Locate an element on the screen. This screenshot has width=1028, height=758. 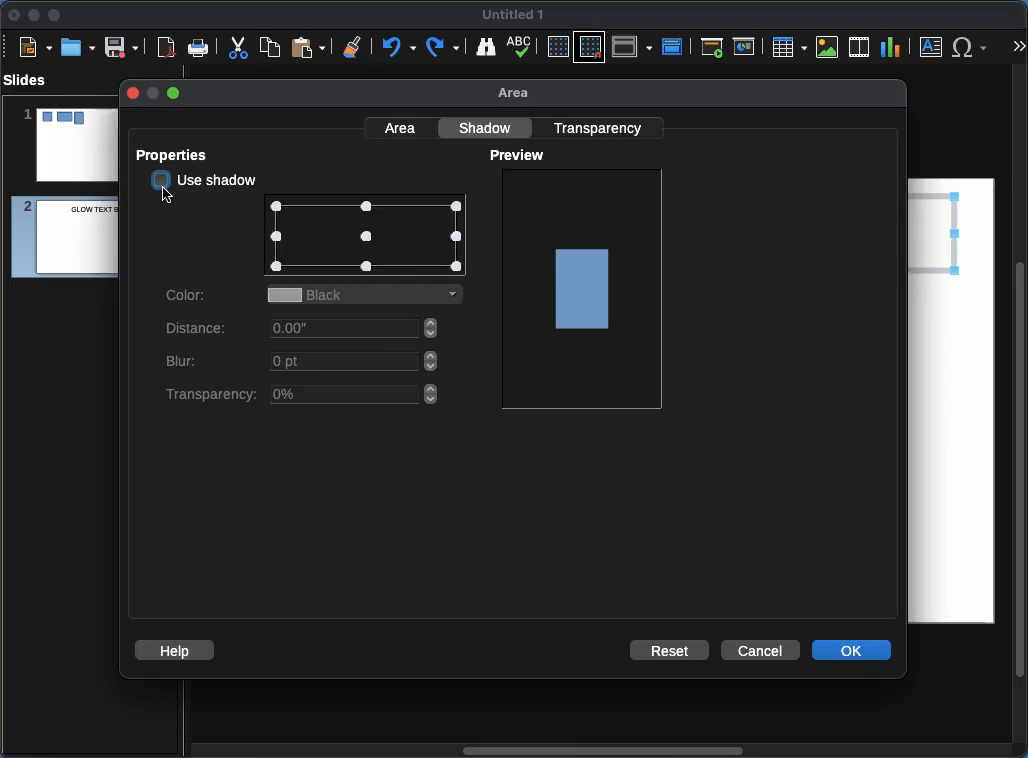
Distance is located at coordinates (304, 332).